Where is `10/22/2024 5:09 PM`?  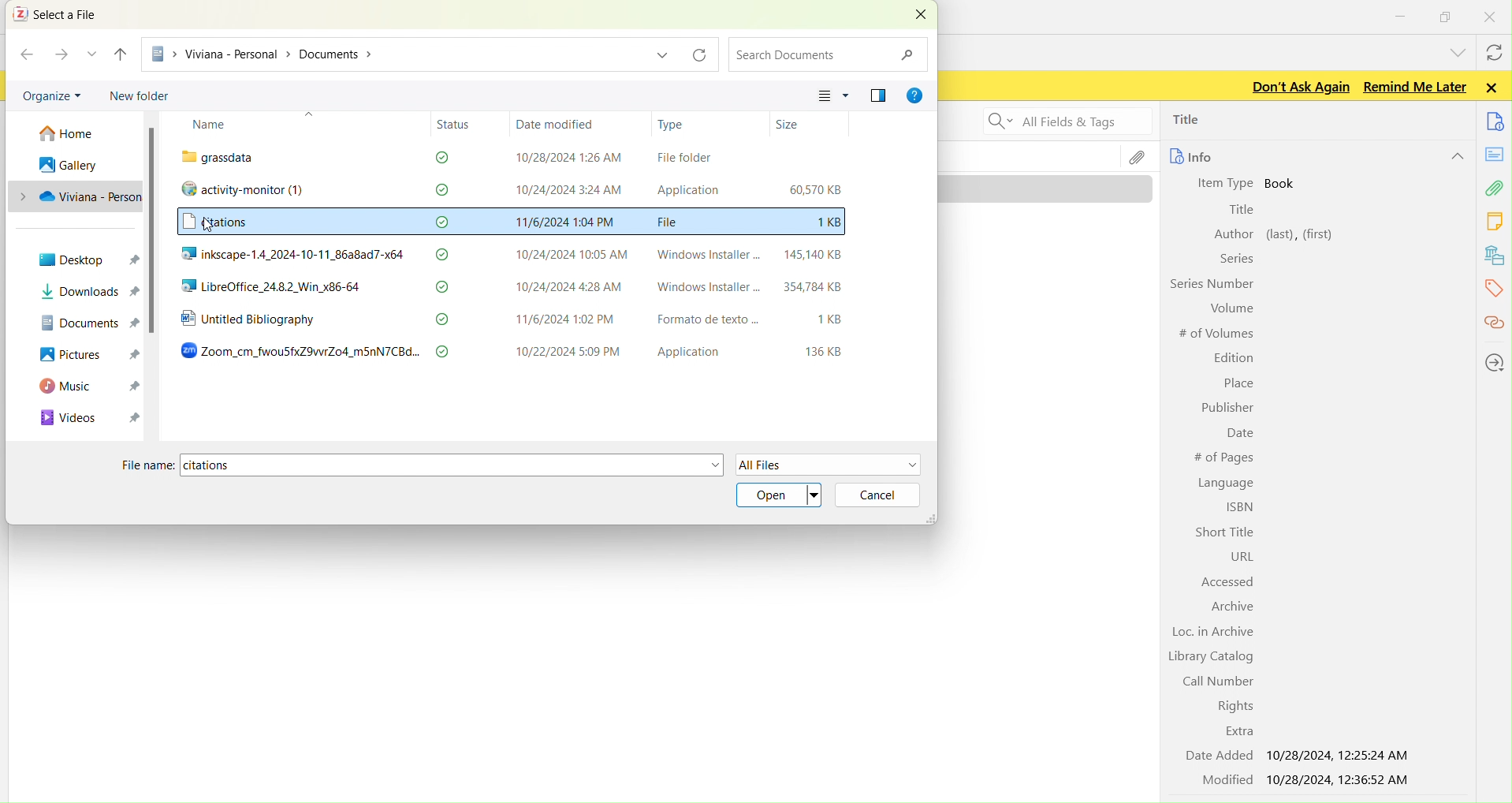
10/22/2024 5:09 PM is located at coordinates (564, 351).